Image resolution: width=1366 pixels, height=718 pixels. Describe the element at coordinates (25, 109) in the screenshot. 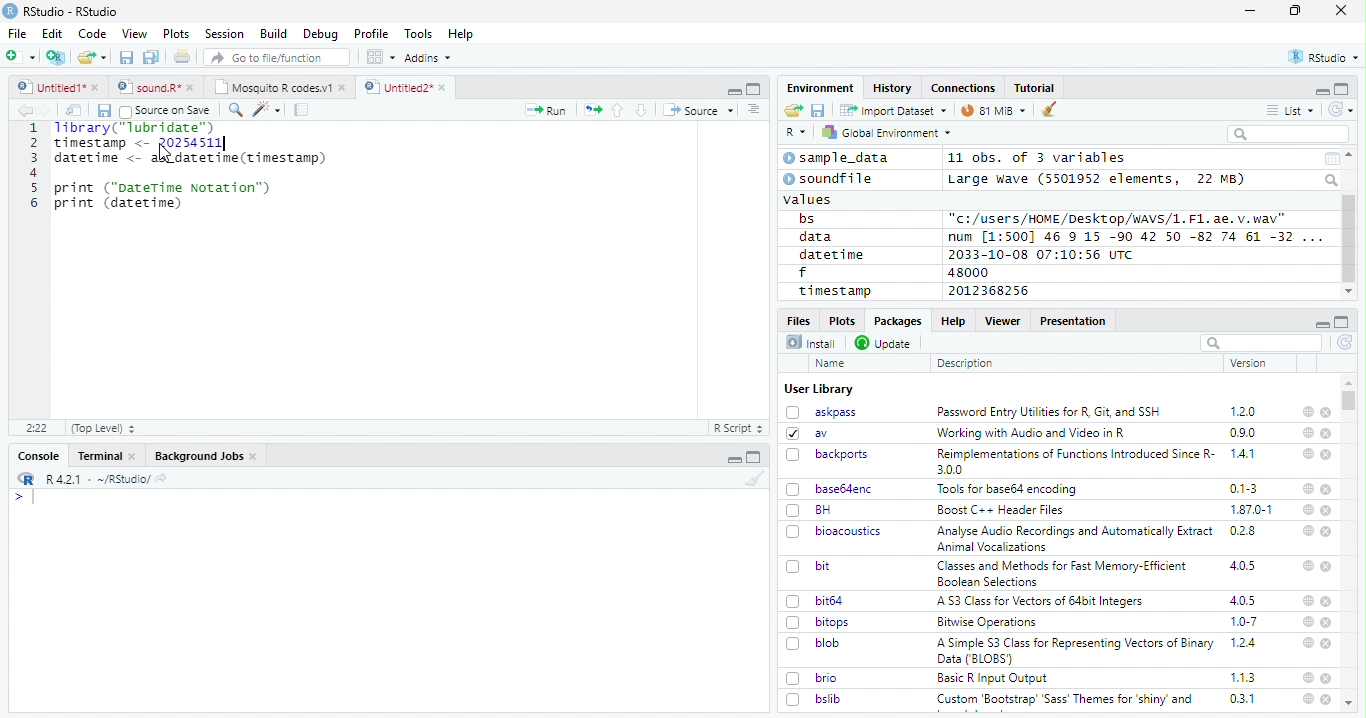

I see `go backward` at that location.